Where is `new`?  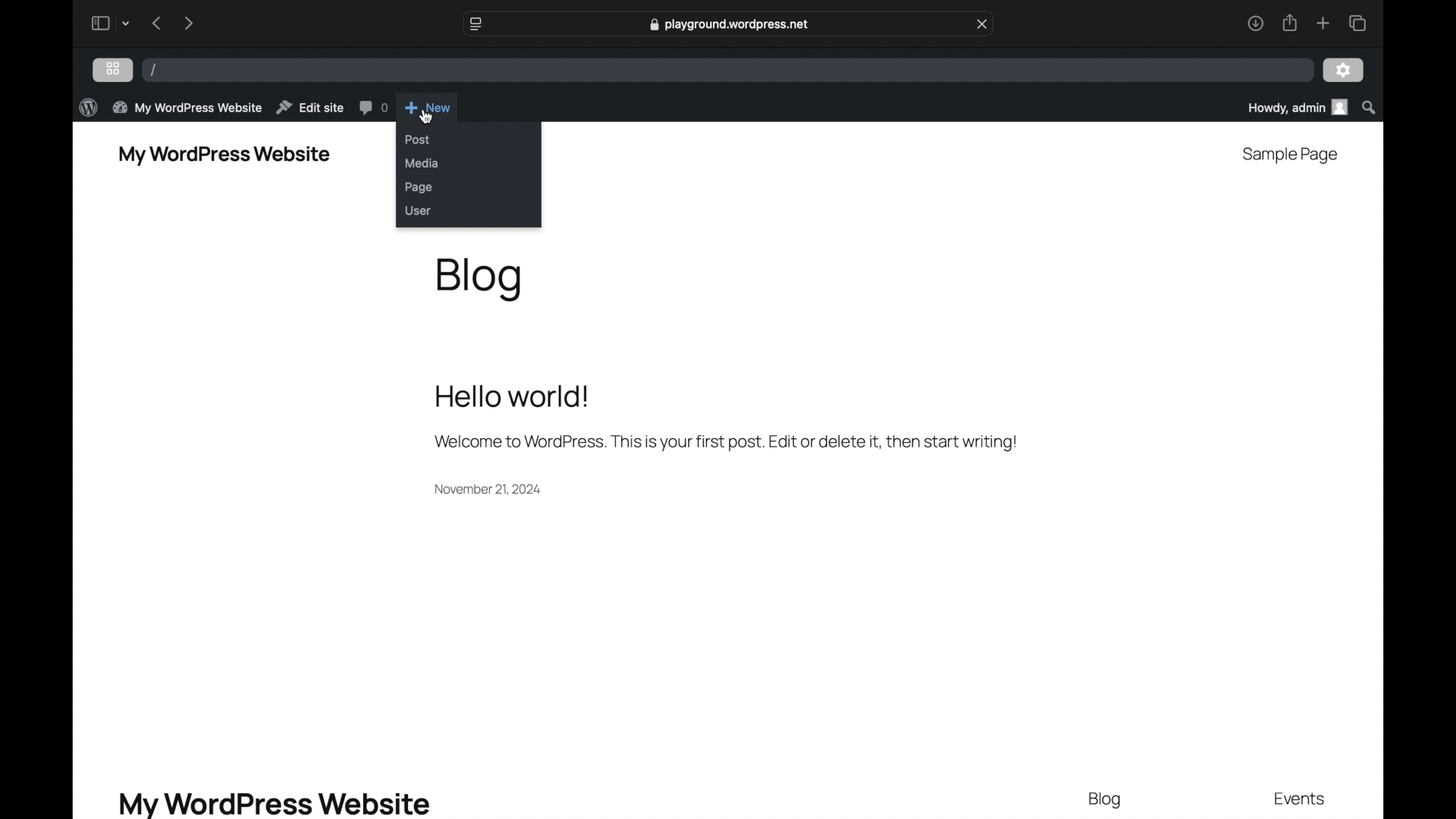
new is located at coordinates (428, 107).